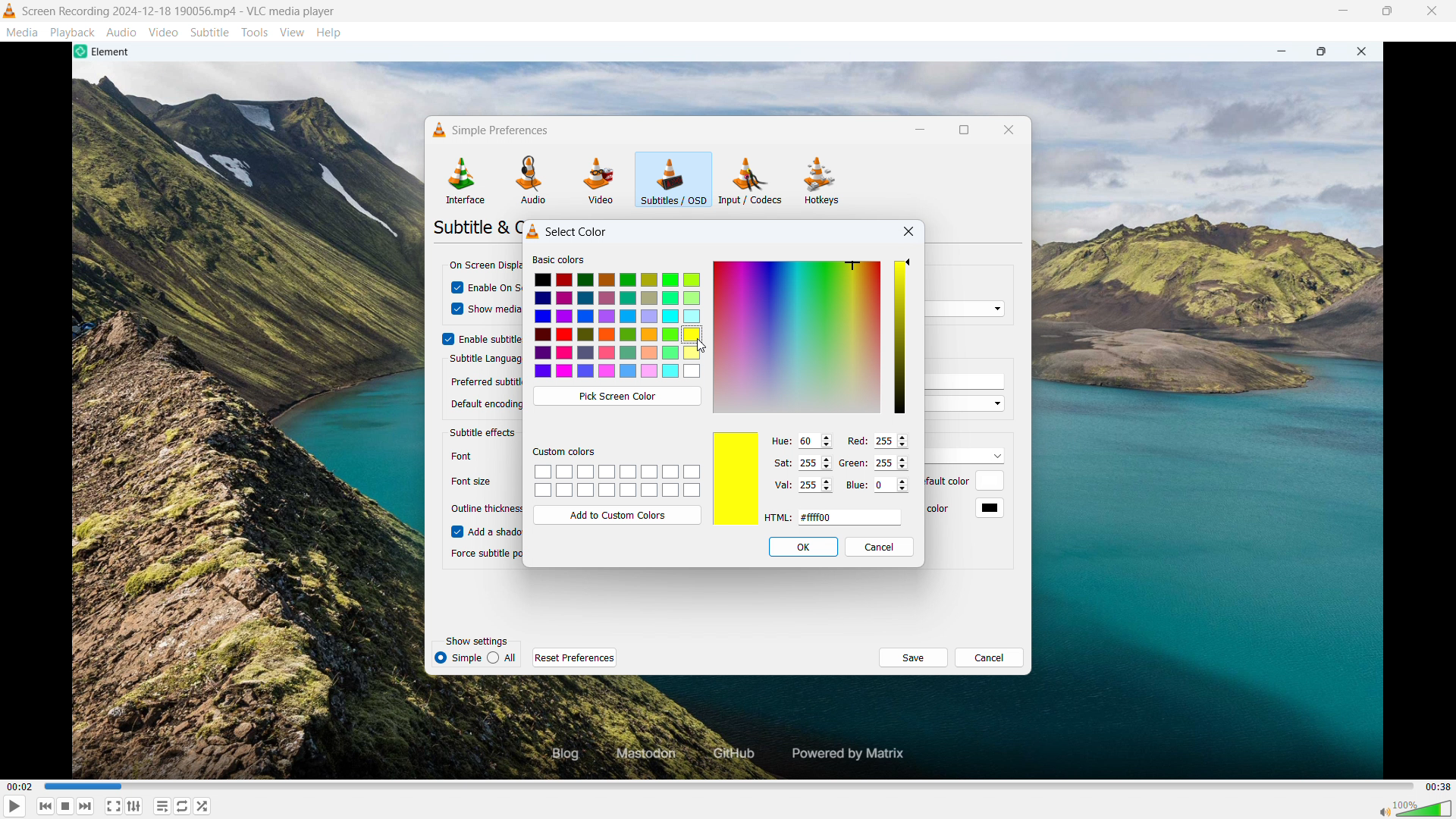  Describe the element at coordinates (255, 32) in the screenshot. I see `Tools ` at that location.